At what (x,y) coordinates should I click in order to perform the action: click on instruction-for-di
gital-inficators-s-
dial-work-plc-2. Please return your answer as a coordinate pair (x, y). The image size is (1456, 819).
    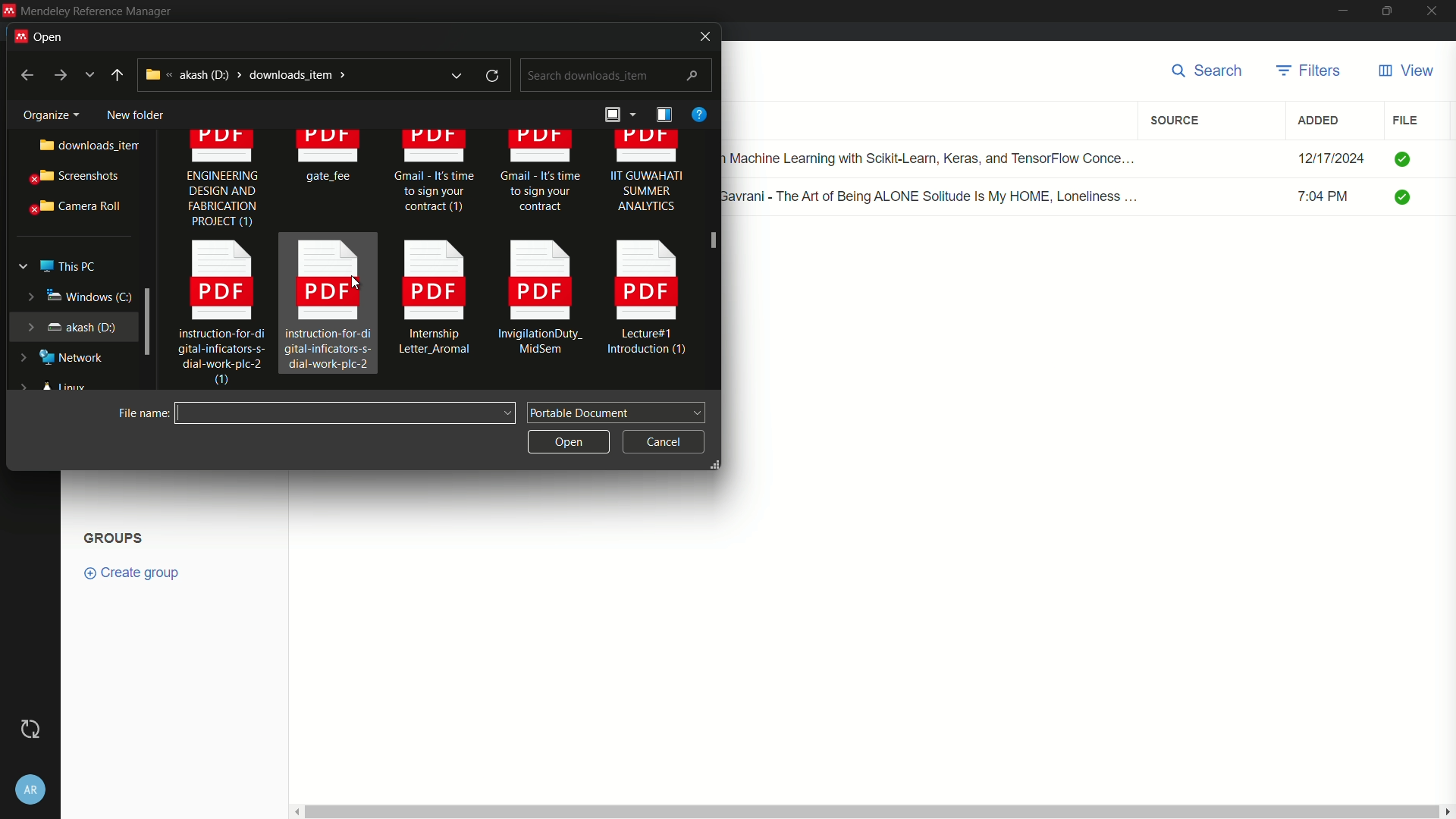
    Looking at the image, I should click on (328, 304).